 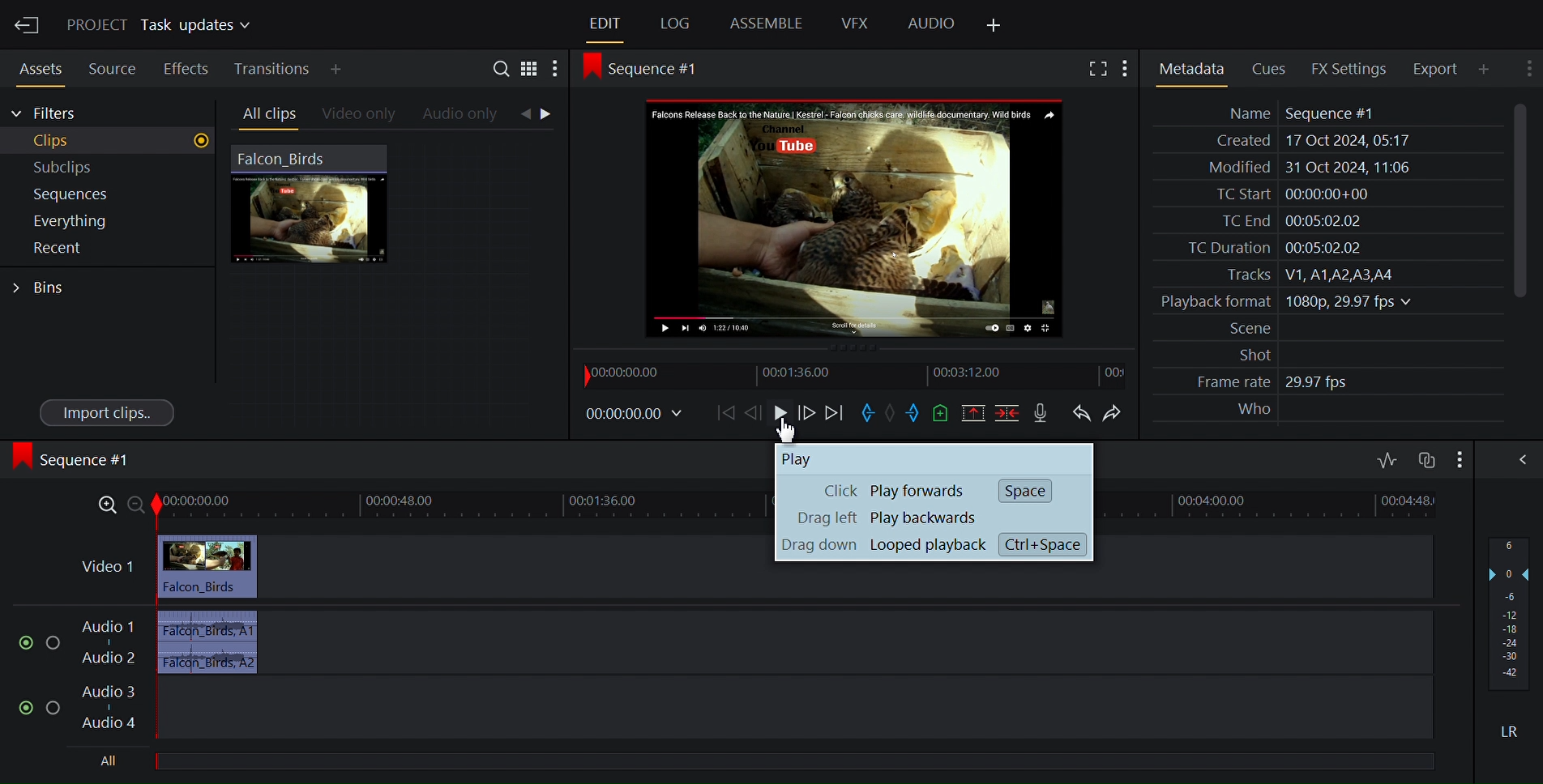 I want to click on Play, so click(x=783, y=413).